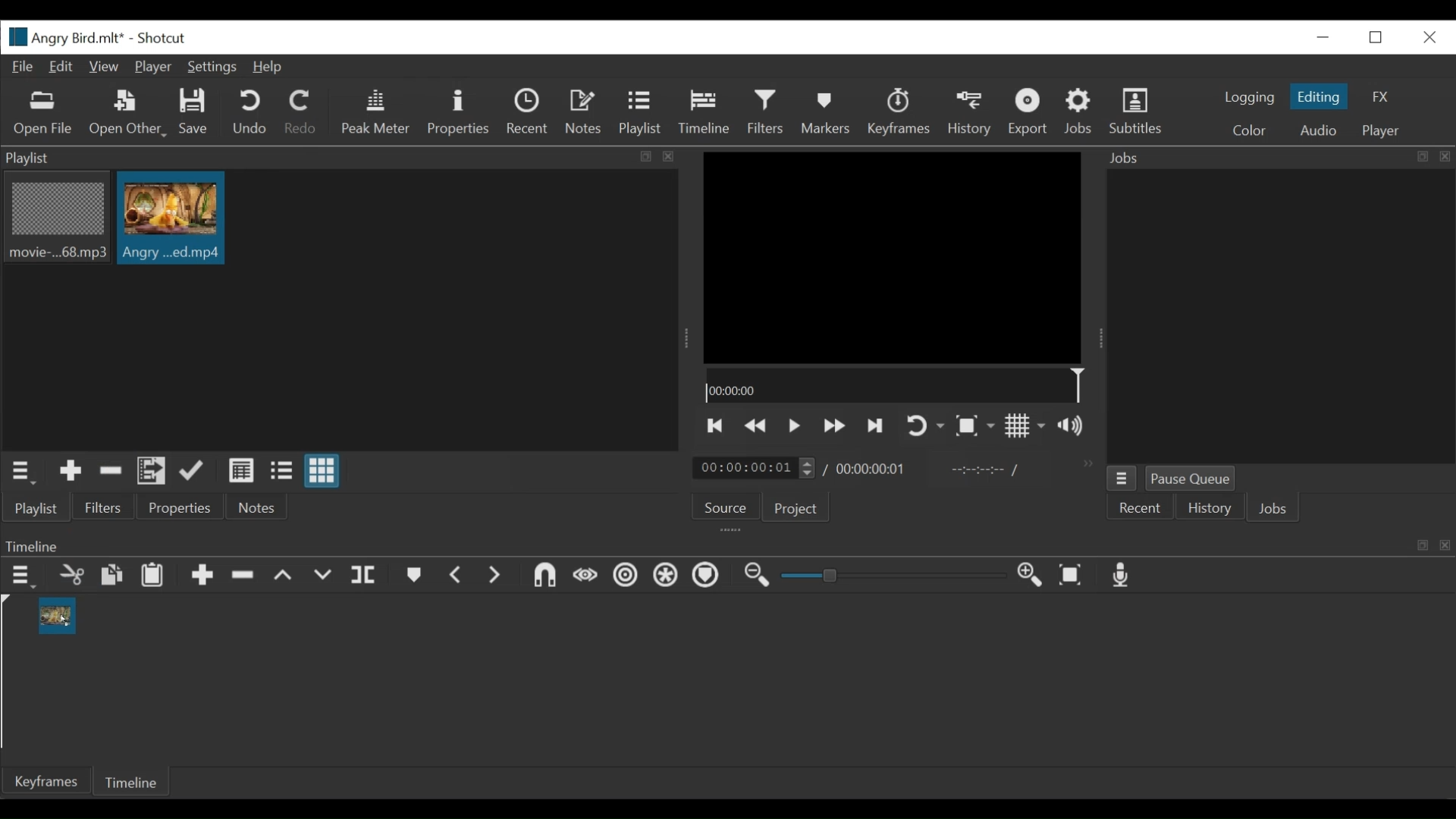  What do you see at coordinates (212, 67) in the screenshot?
I see `Settings` at bounding box center [212, 67].